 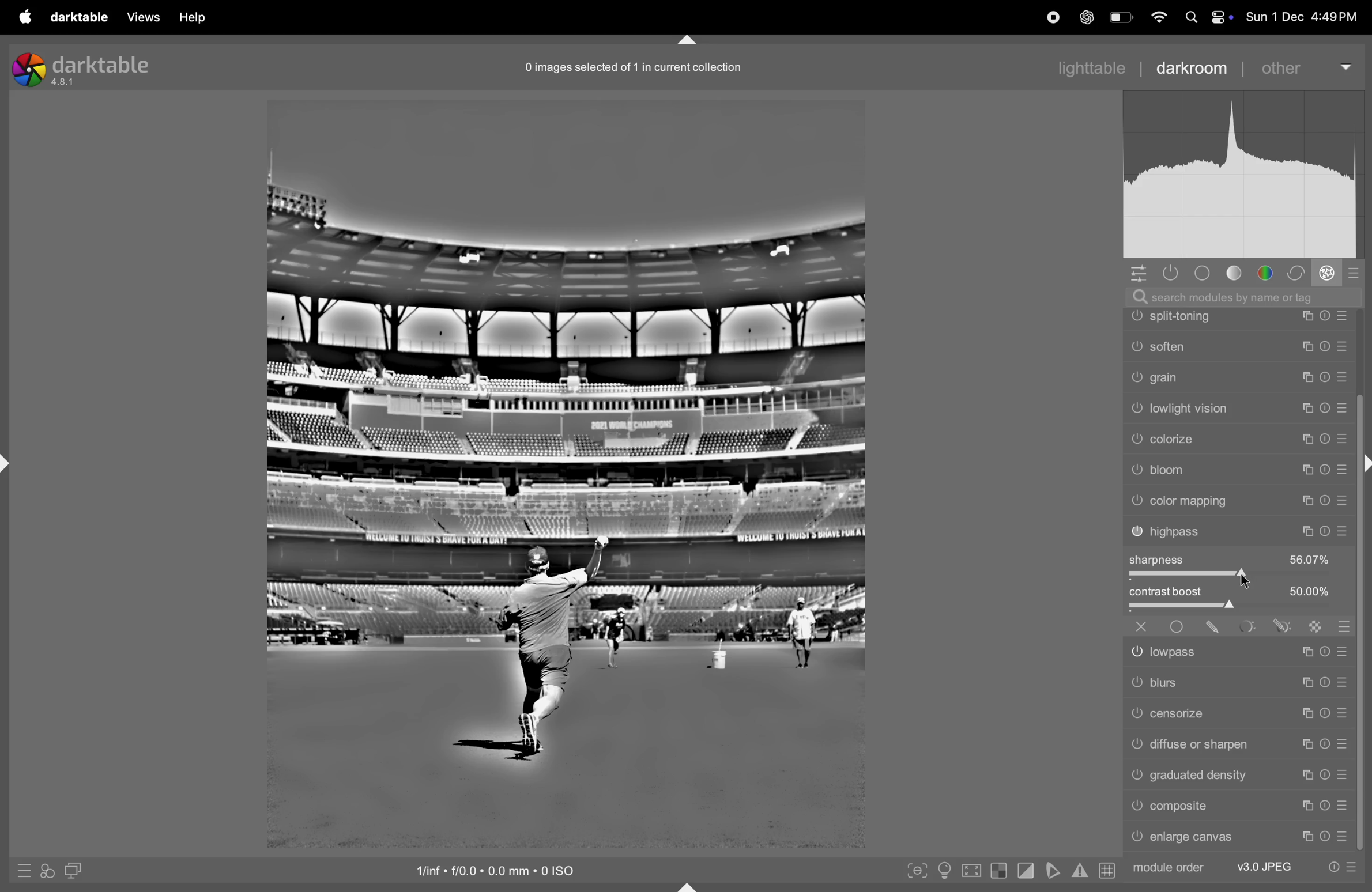 What do you see at coordinates (1238, 316) in the screenshot?
I see `watermark` at bounding box center [1238, 316].